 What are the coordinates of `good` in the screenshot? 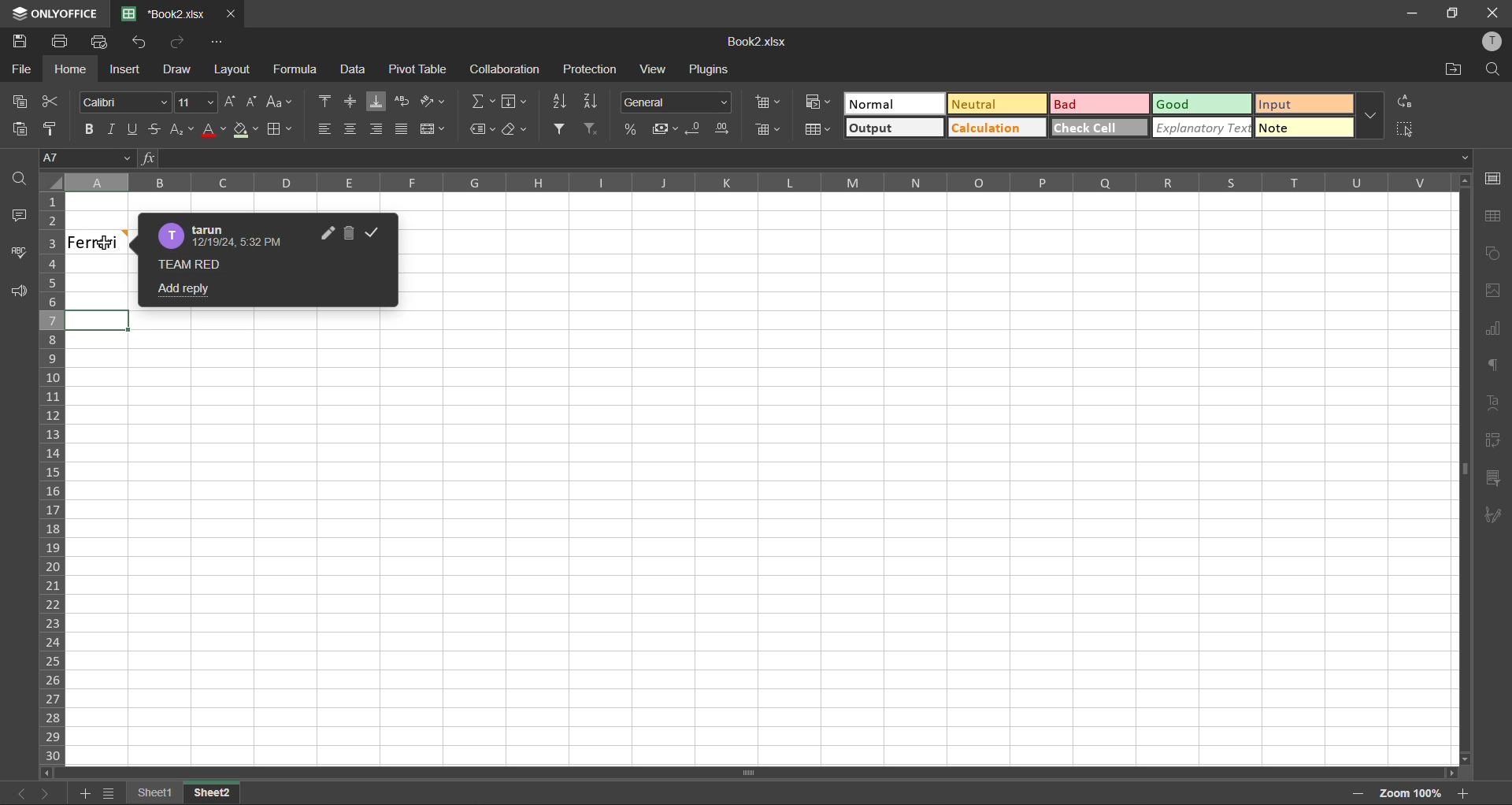 It's located at (1200, 105).